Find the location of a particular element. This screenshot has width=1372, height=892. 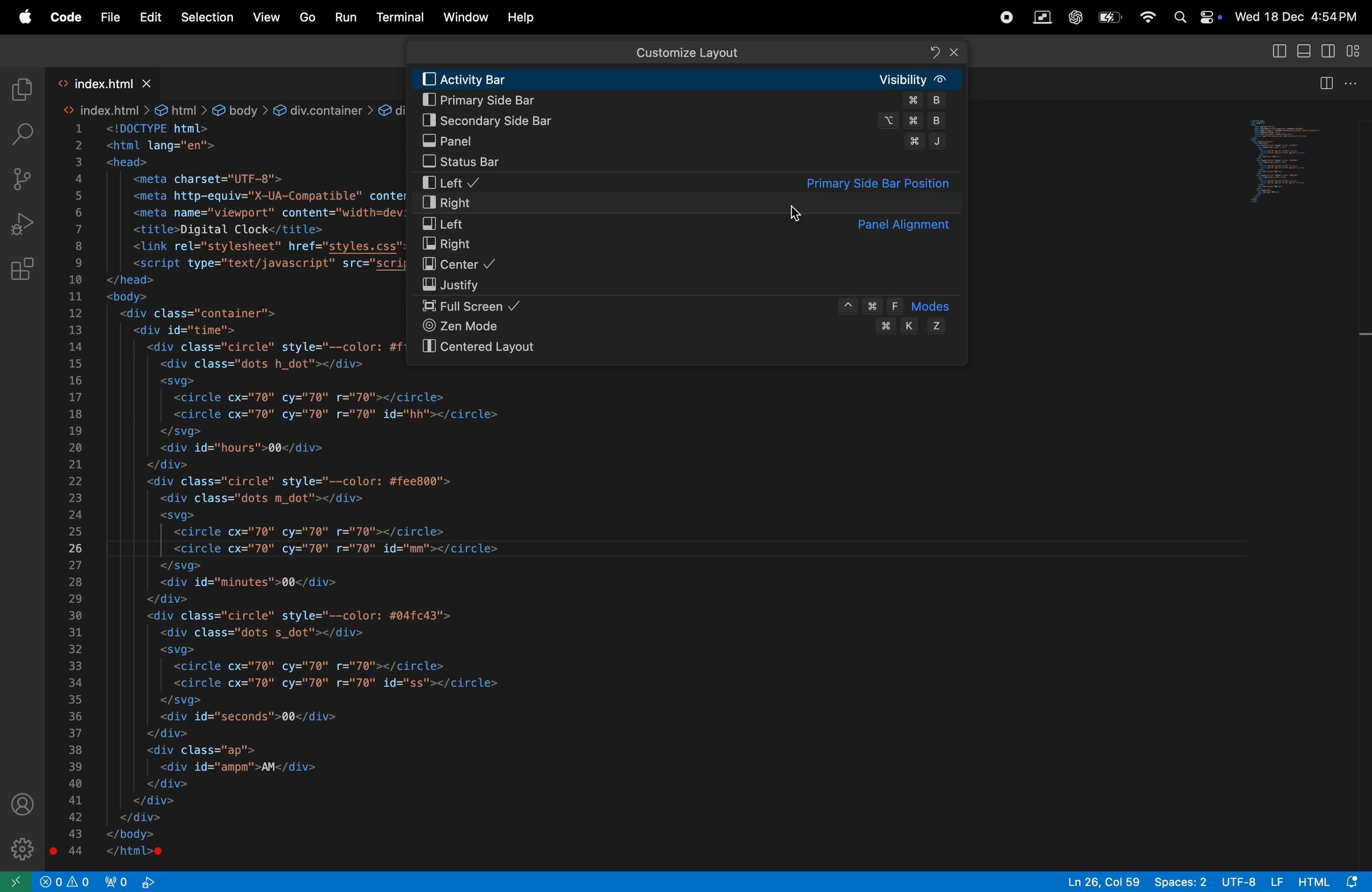

1 2 3 4 5 6 7 8 9 10 11 12 13 14 15 16 17 18 19 20 21 22 23 24 25 26 27 28 29 30 31 32 33 34 35 36 37 38 39 40 41 42 43 44 is located at coordinates (73, 494).